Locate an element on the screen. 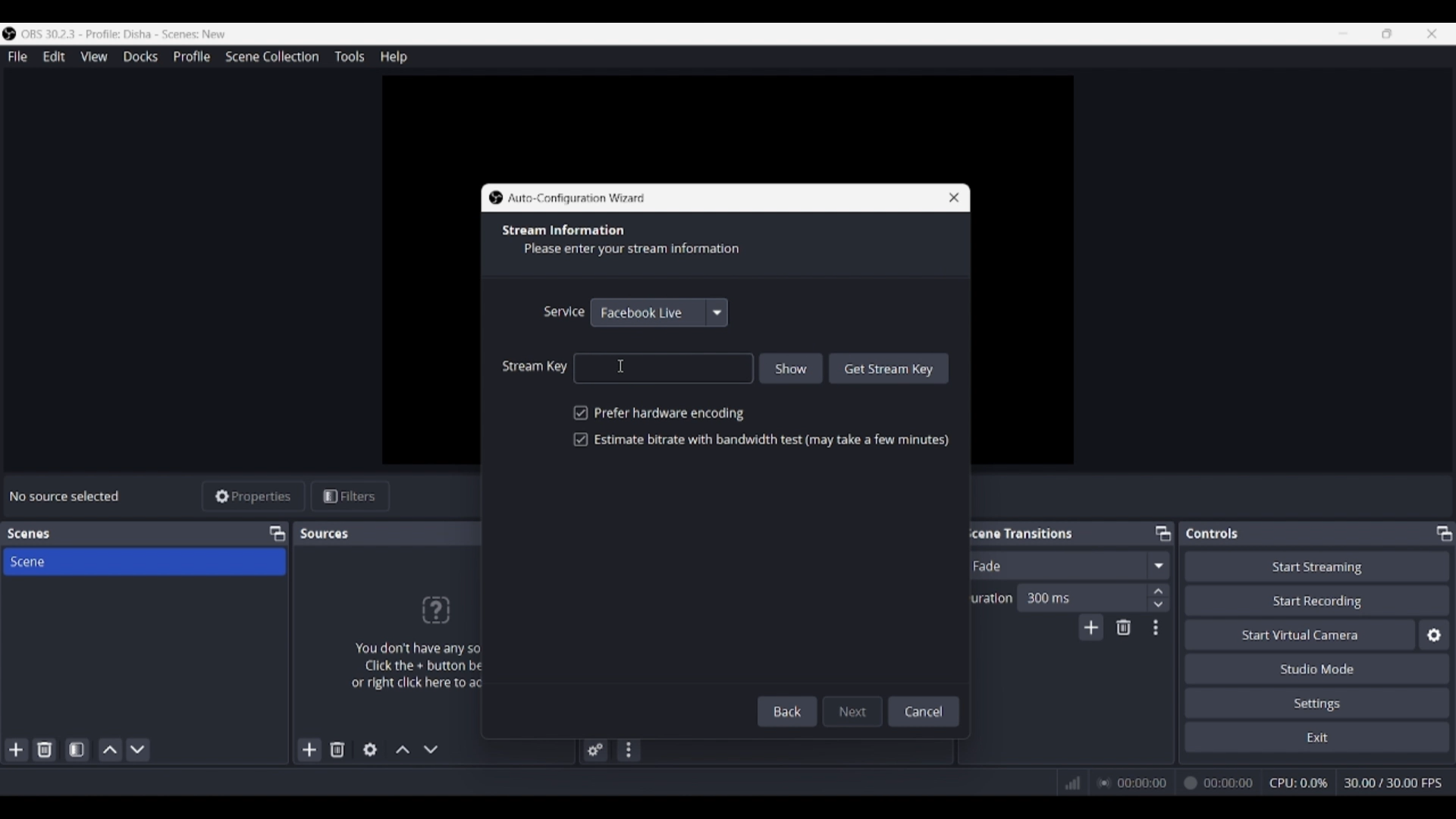  Panel title is located at coordinates (326, 533).